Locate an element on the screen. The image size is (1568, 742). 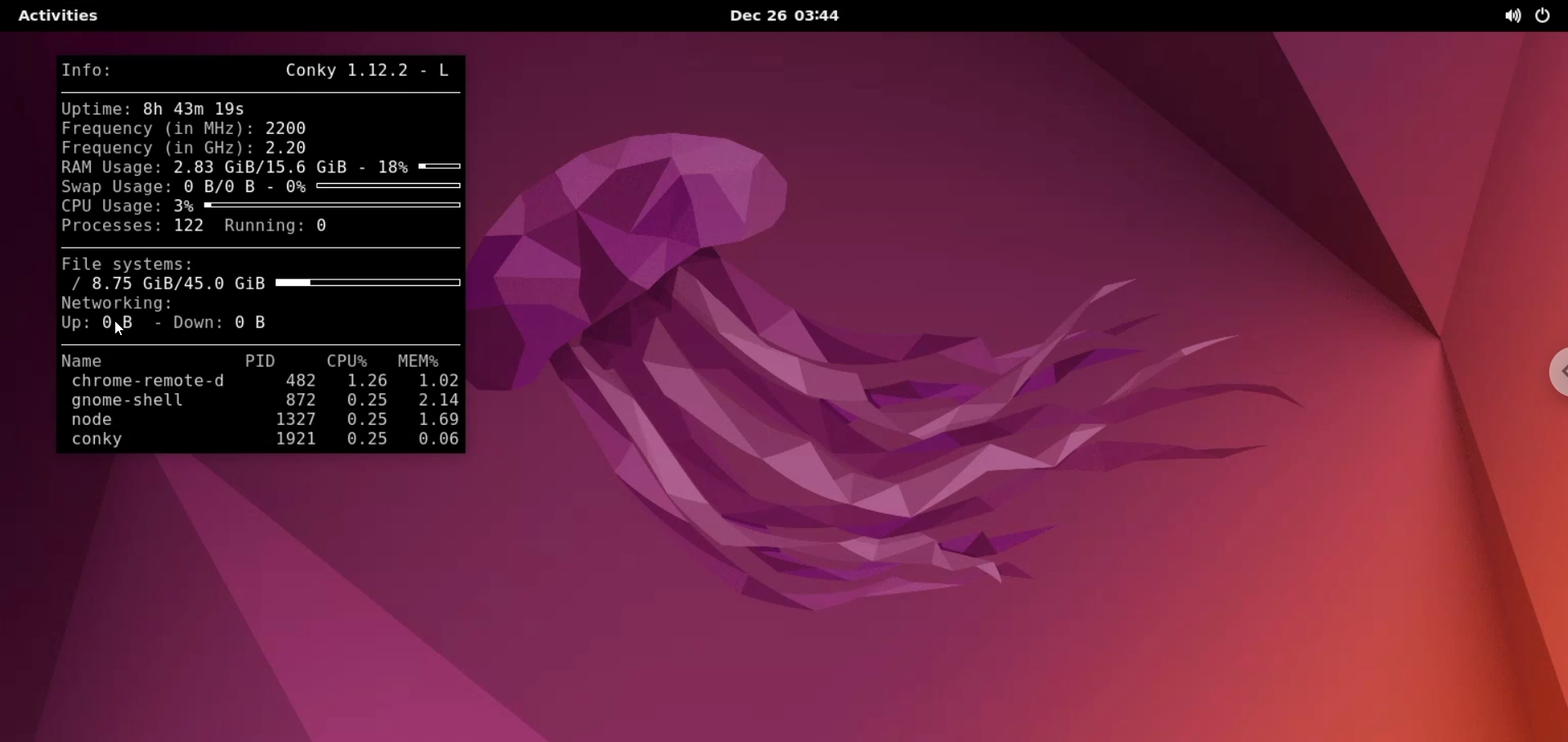
Networking: is located at coordinates (125, 303).